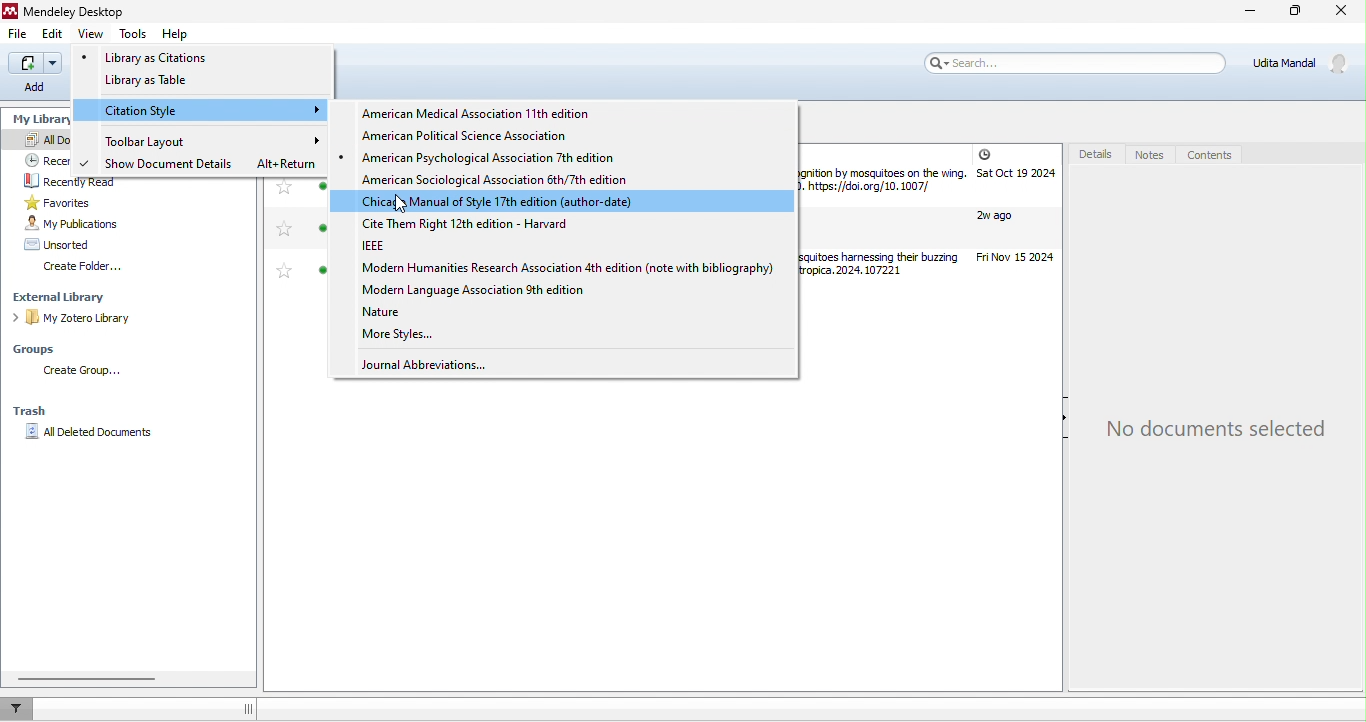 This screenshot has width=1366, height=722. What do you see at coordinates (147, 81) in the screenshot?
I see `library as table` at bounding box center [147, 81].